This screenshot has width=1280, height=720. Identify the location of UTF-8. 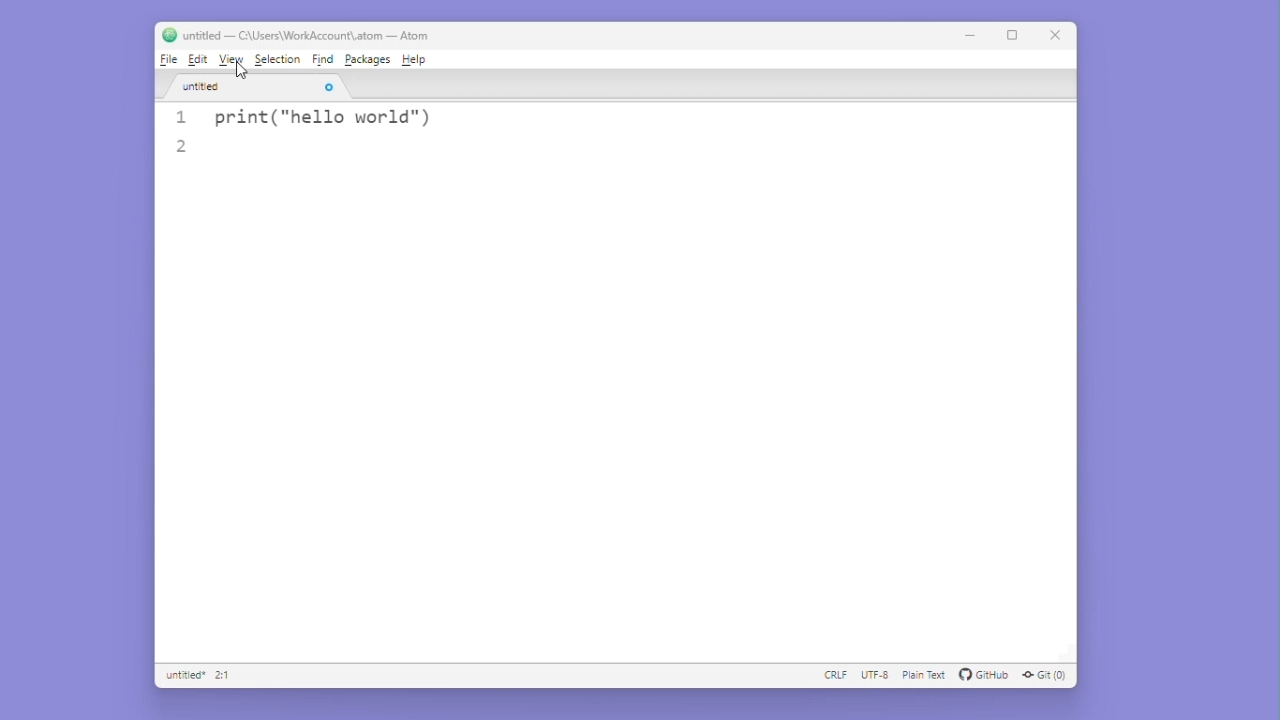
(872, 677).